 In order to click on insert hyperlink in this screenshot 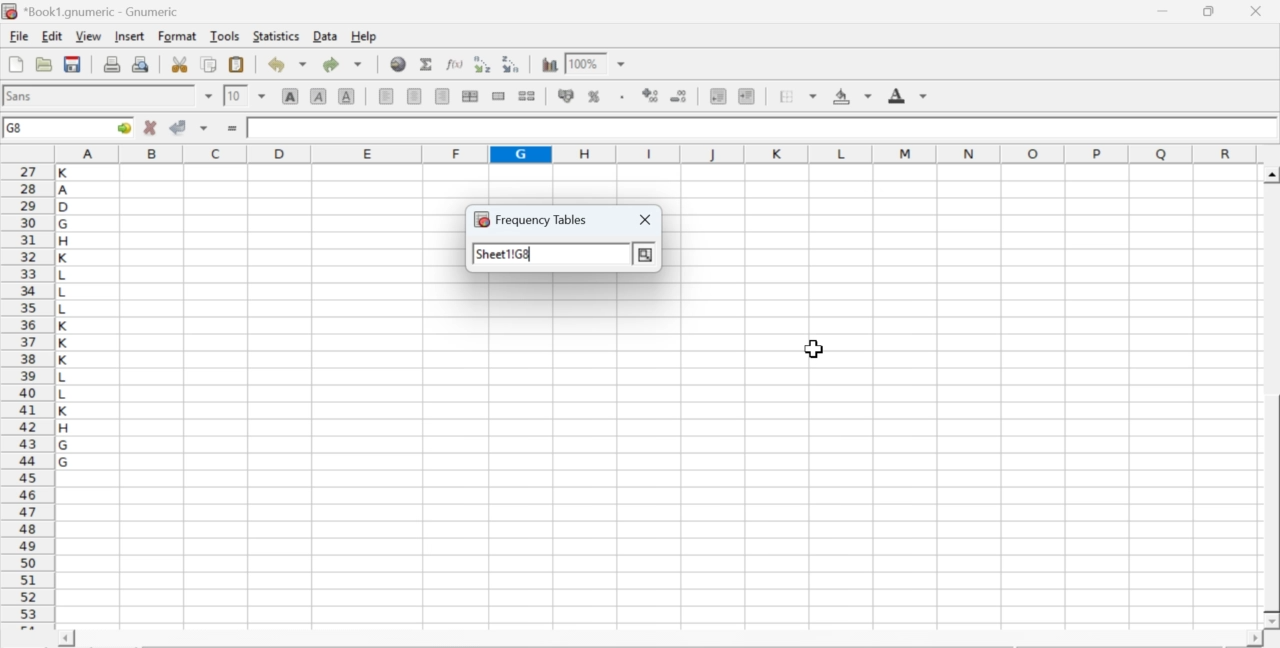, I will do `click(399, 64)`.